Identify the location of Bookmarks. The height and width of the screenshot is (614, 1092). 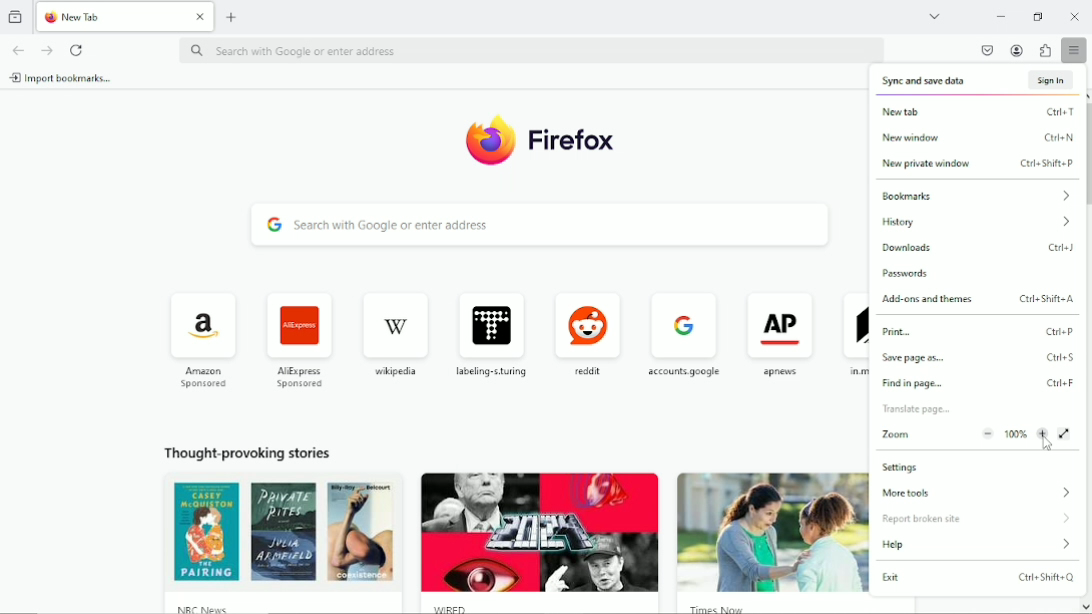
(972, 197).